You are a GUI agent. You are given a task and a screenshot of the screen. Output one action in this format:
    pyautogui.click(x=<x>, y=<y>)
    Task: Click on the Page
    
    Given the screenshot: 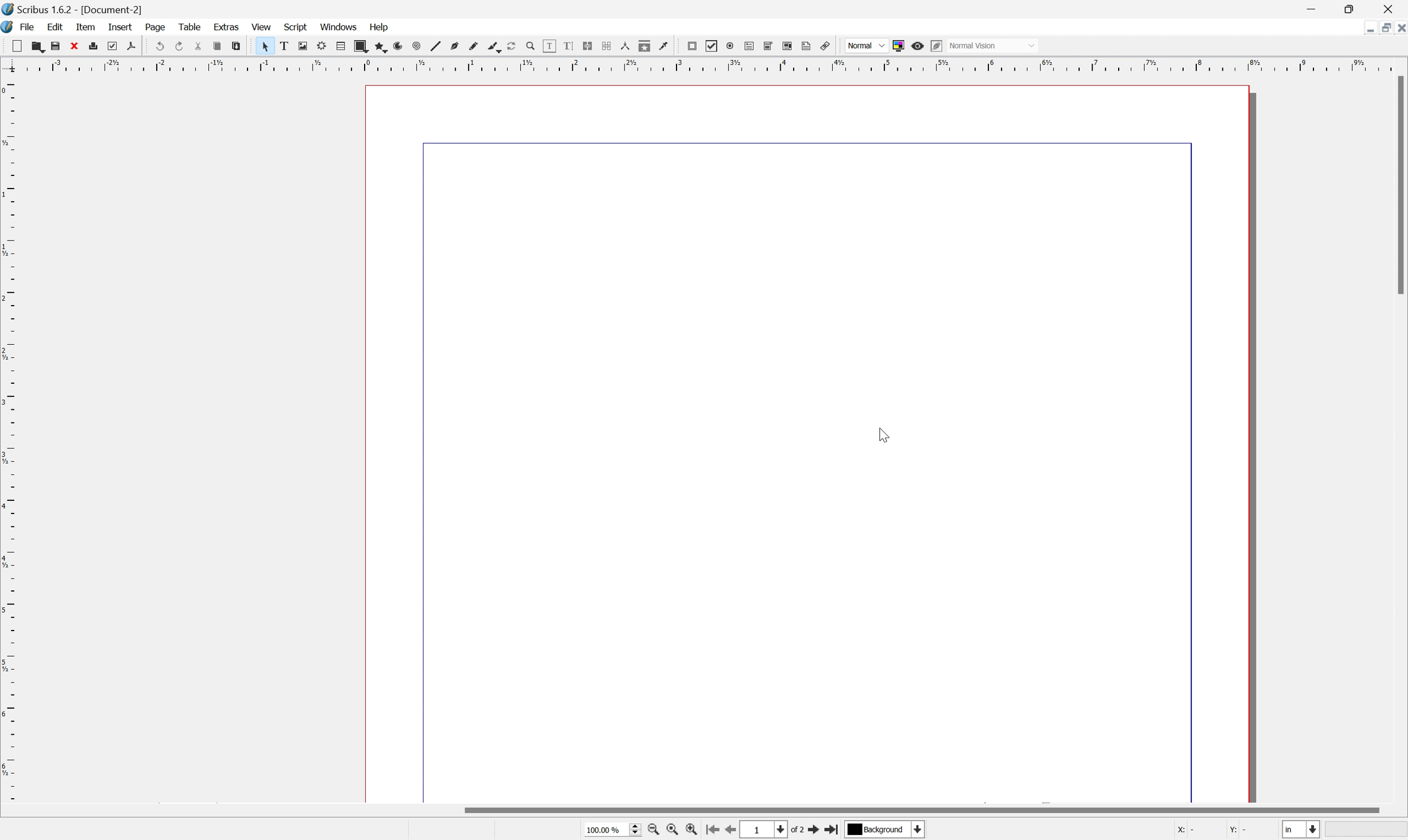 What is the action you would take?
    pyautogui.click(x=157, y=29)
    